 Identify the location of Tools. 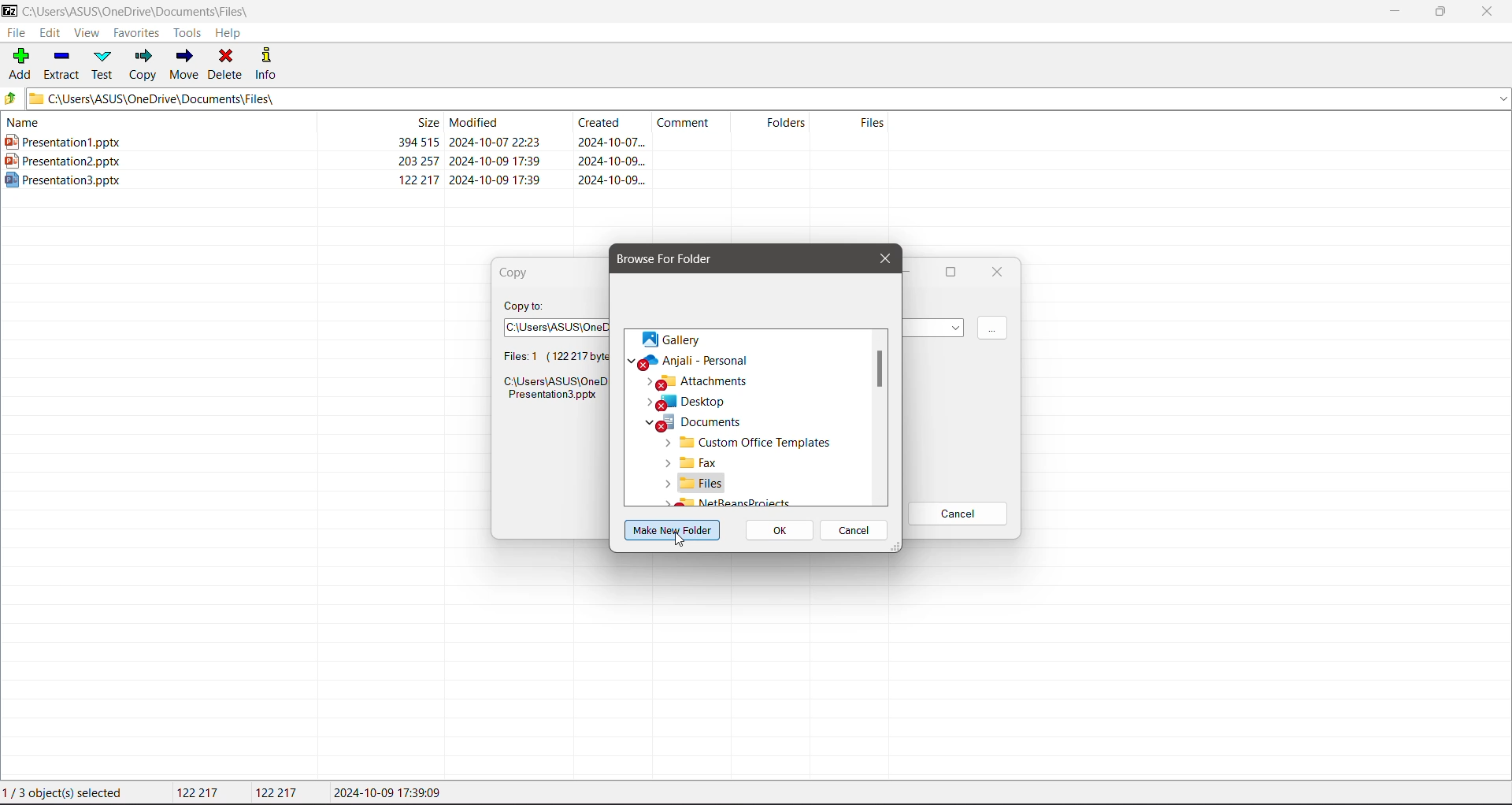
(186, 33).